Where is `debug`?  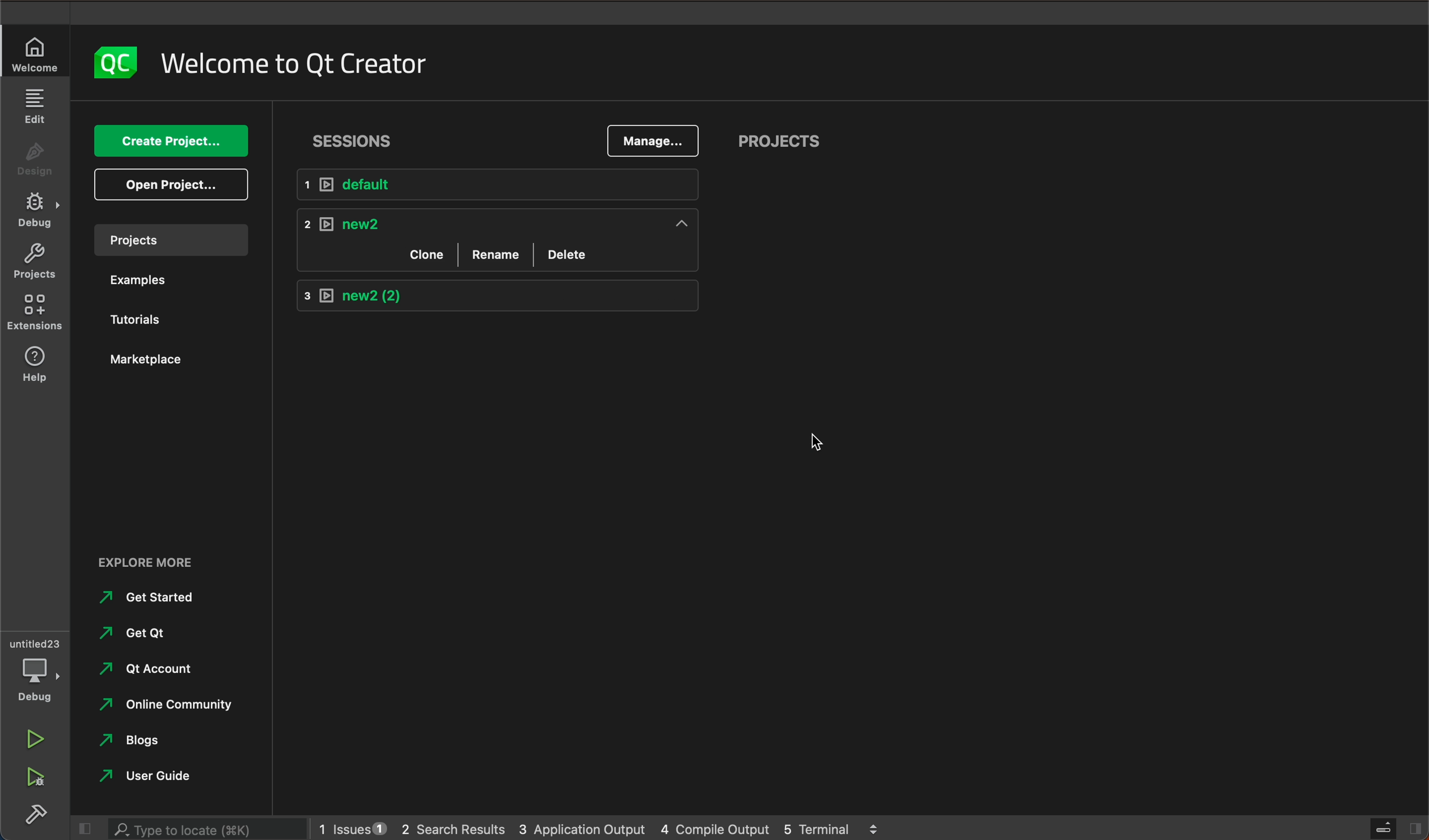 debug is located at coordinates (34, 669).